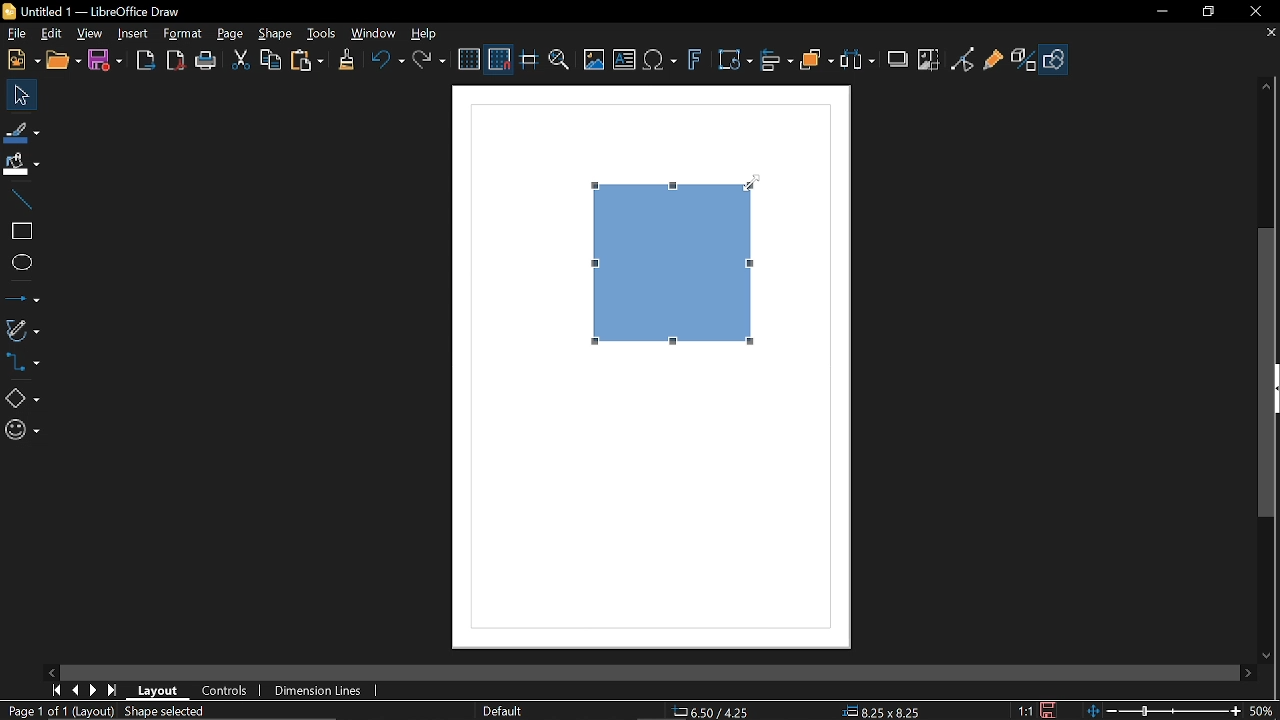 The width and height of the screenshot is (1280, 720). I want to click on Insert, so click(131, 34).